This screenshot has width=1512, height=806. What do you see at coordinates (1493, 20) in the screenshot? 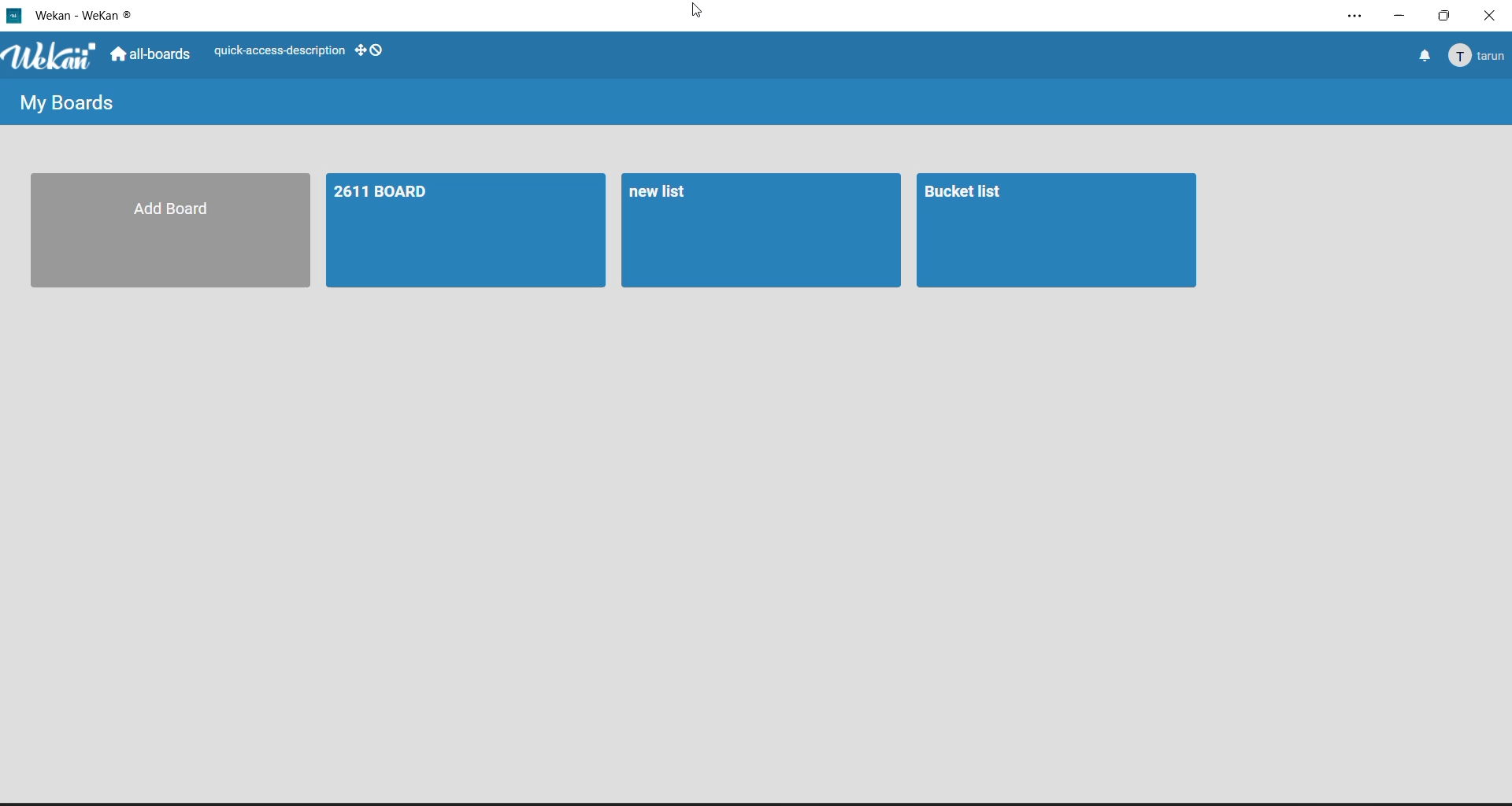
I see `close` at bounding box center [1493, 20].